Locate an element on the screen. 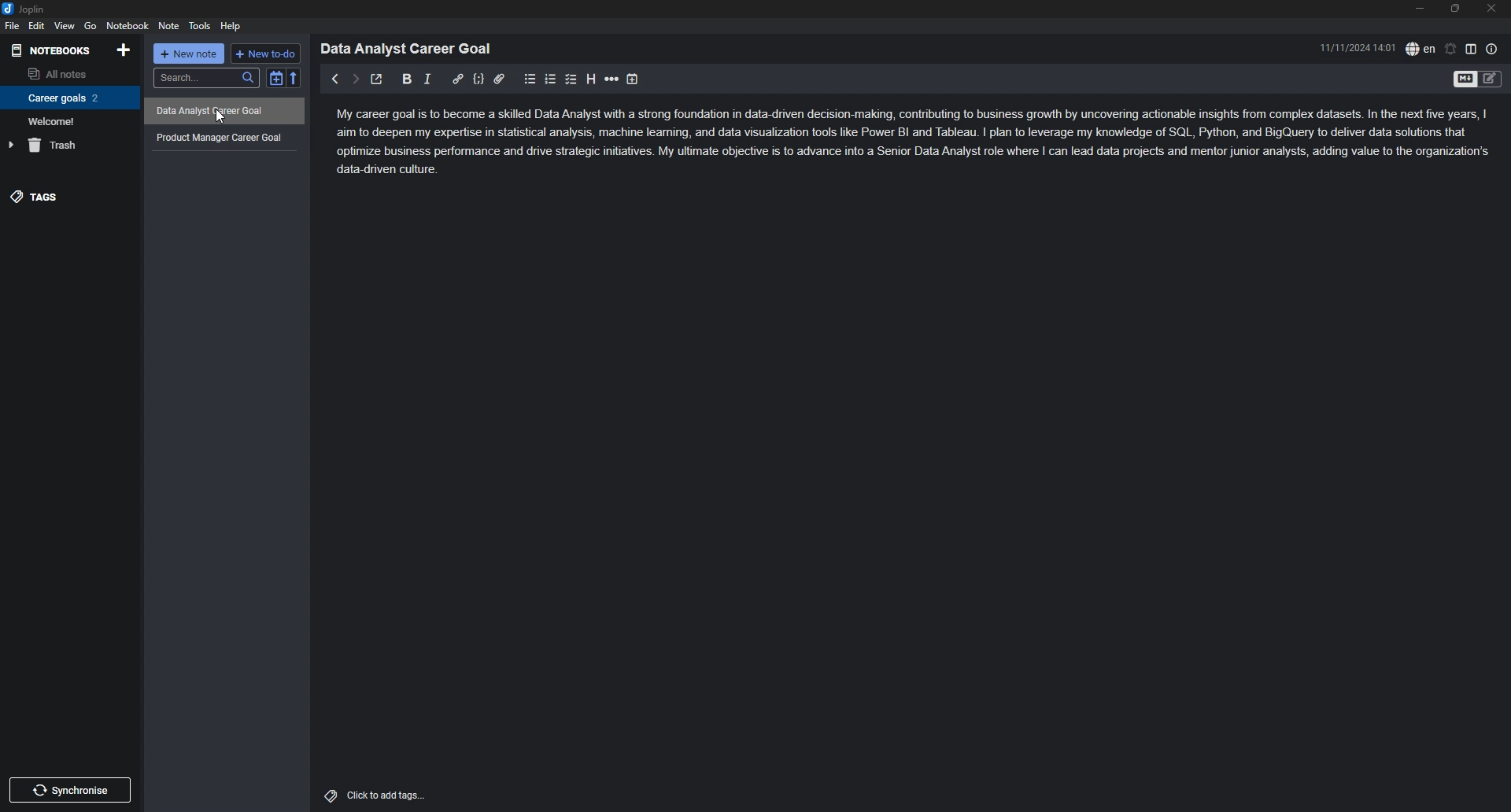  + new note is located at coordinates (189, 54).